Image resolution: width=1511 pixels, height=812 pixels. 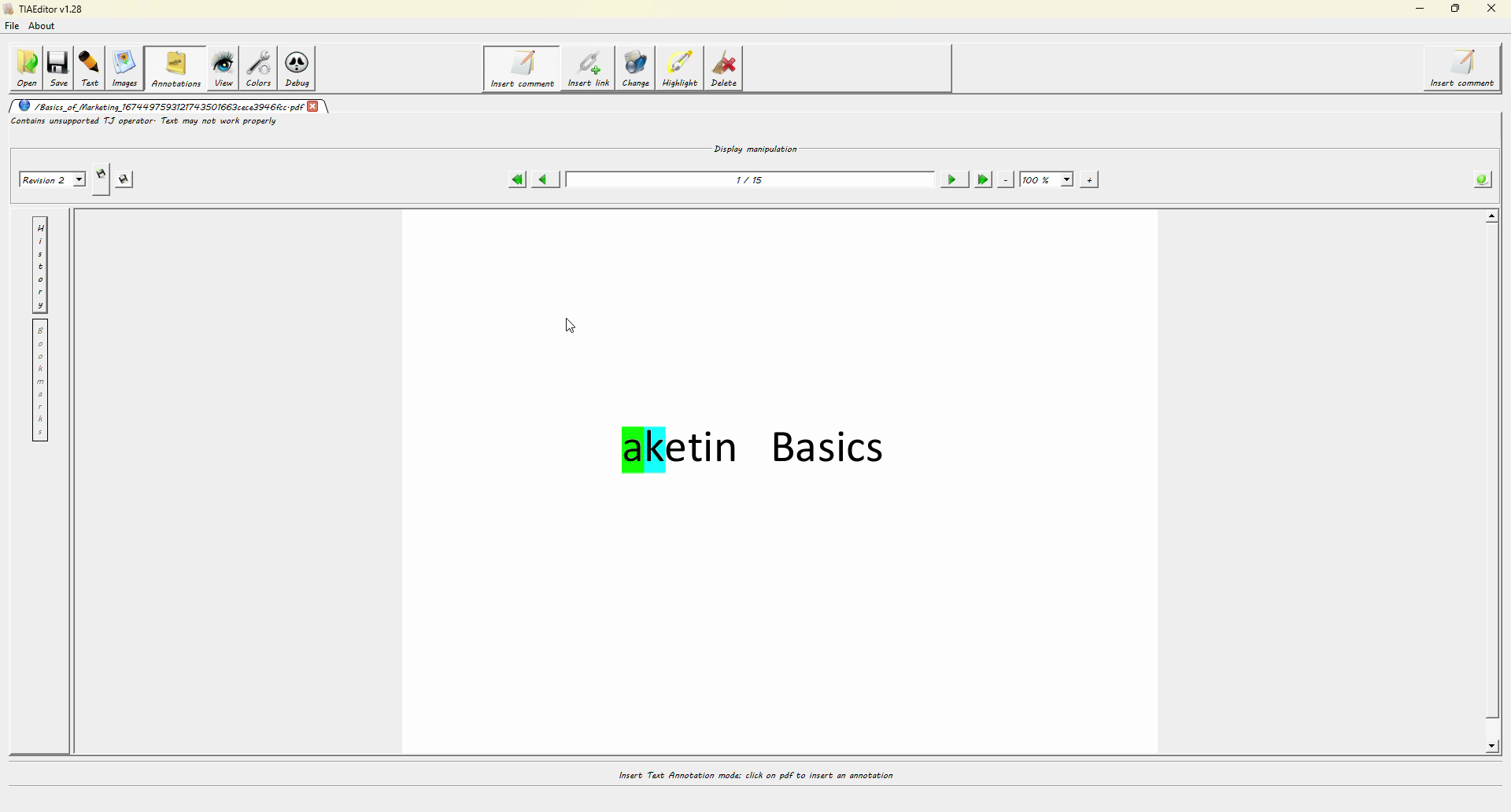 What do you see at coordinates (516, 179) in the screenshot?
I see `first page` at bounding box center [516, 179].